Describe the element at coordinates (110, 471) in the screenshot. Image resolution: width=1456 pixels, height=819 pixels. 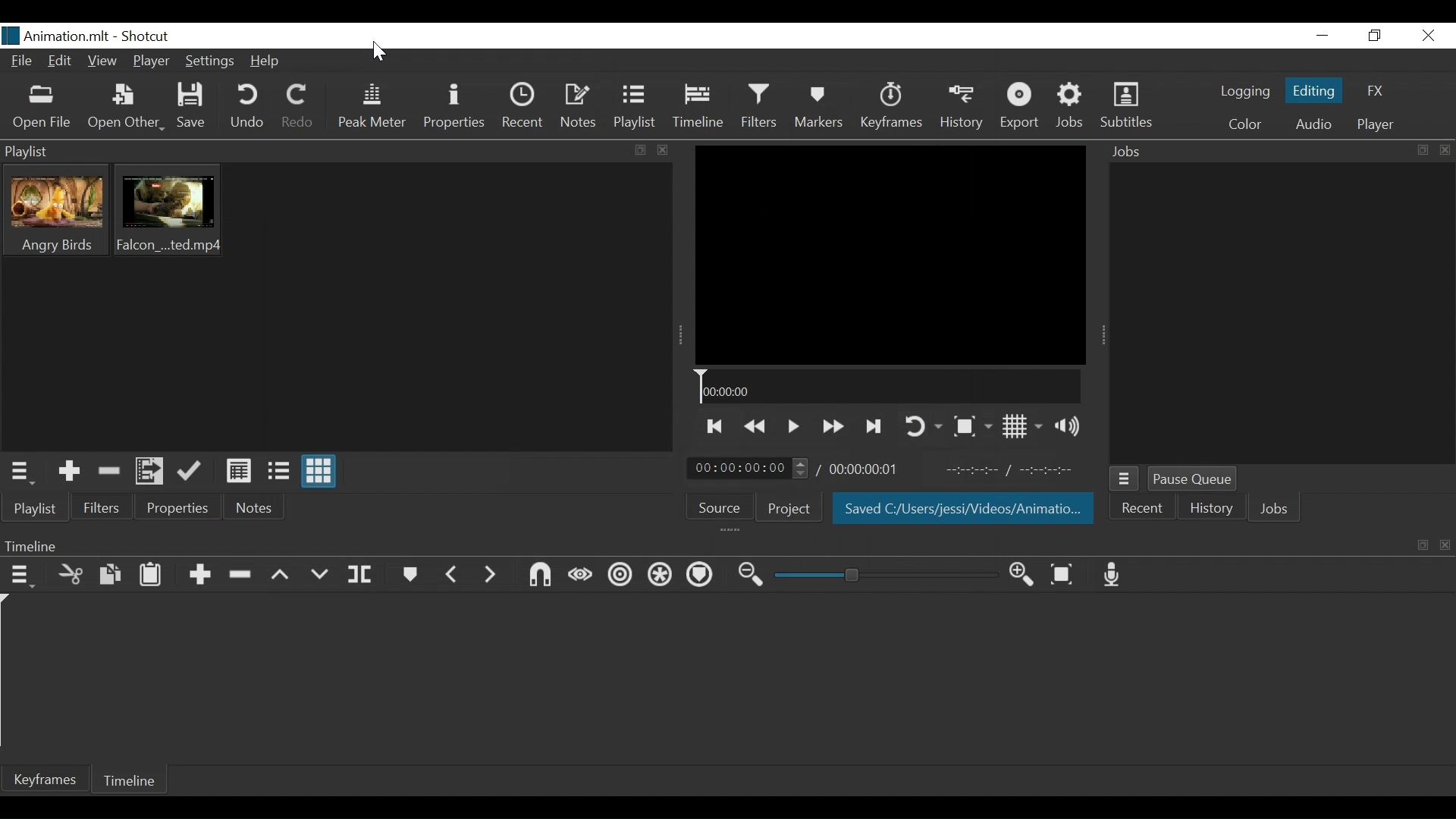
I see `Remove cut` at that location.